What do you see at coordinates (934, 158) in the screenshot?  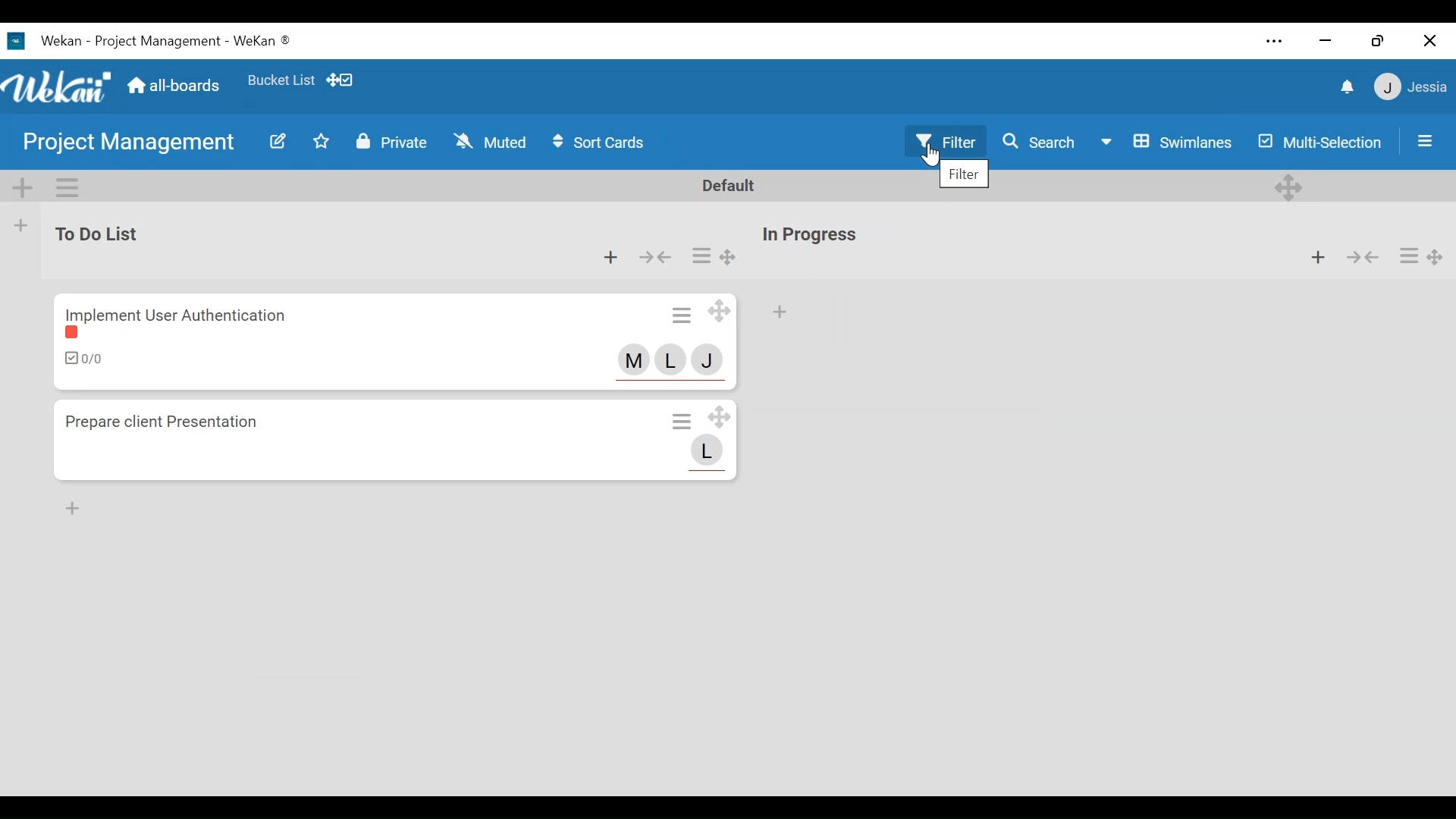 I see `Cursor` at bounding box center [934, 158].